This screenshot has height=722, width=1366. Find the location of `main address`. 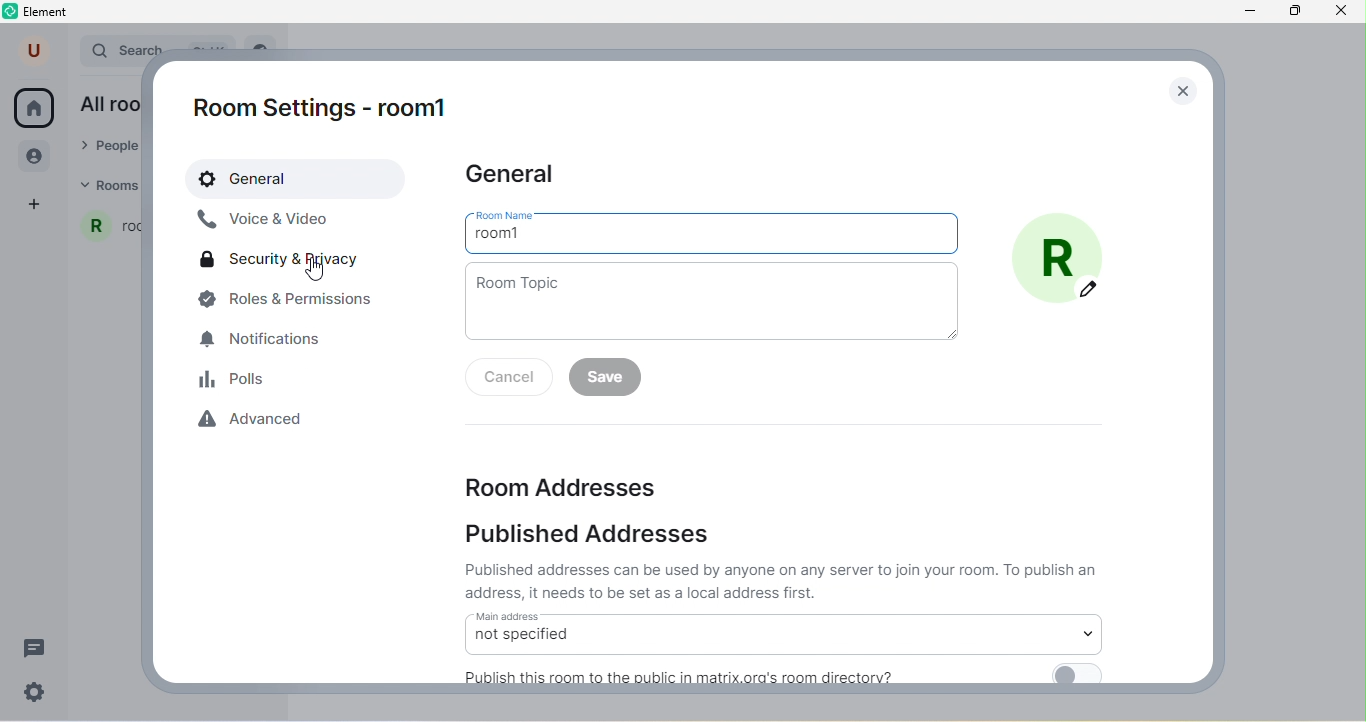

main address is located at coordinates (791, 633).